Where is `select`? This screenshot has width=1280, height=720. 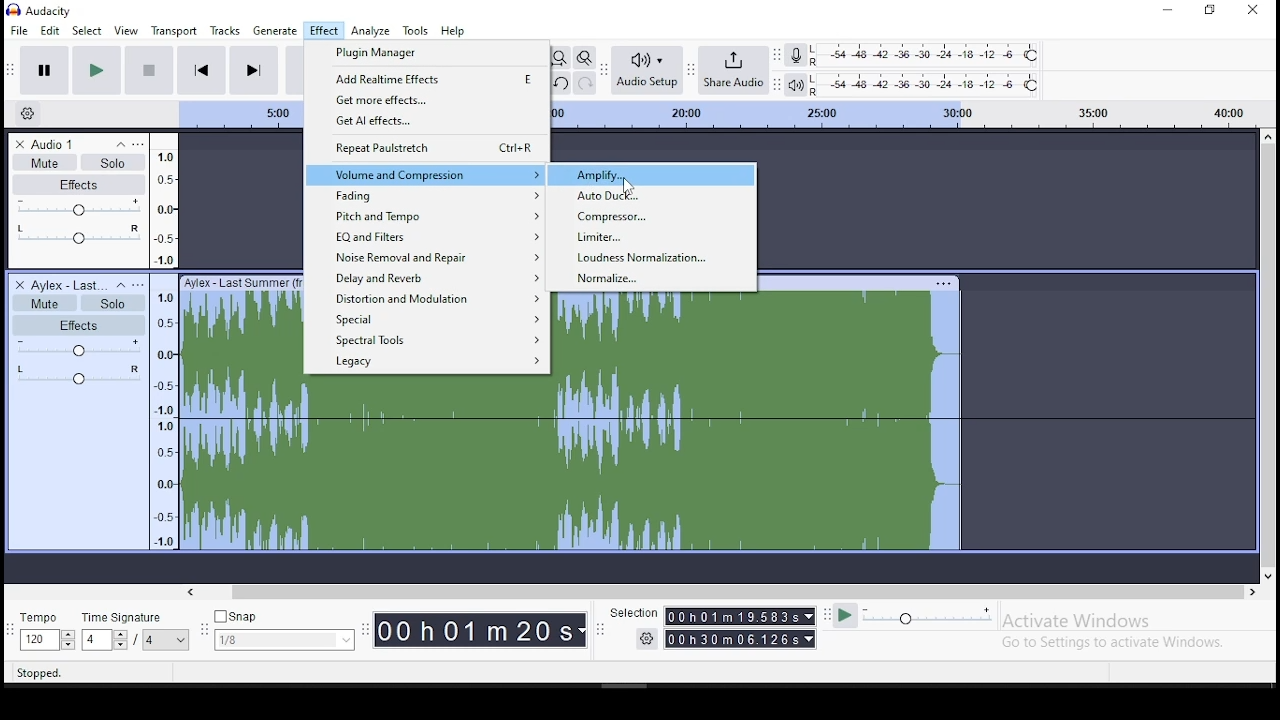 select is located at coordinates (88, 30).